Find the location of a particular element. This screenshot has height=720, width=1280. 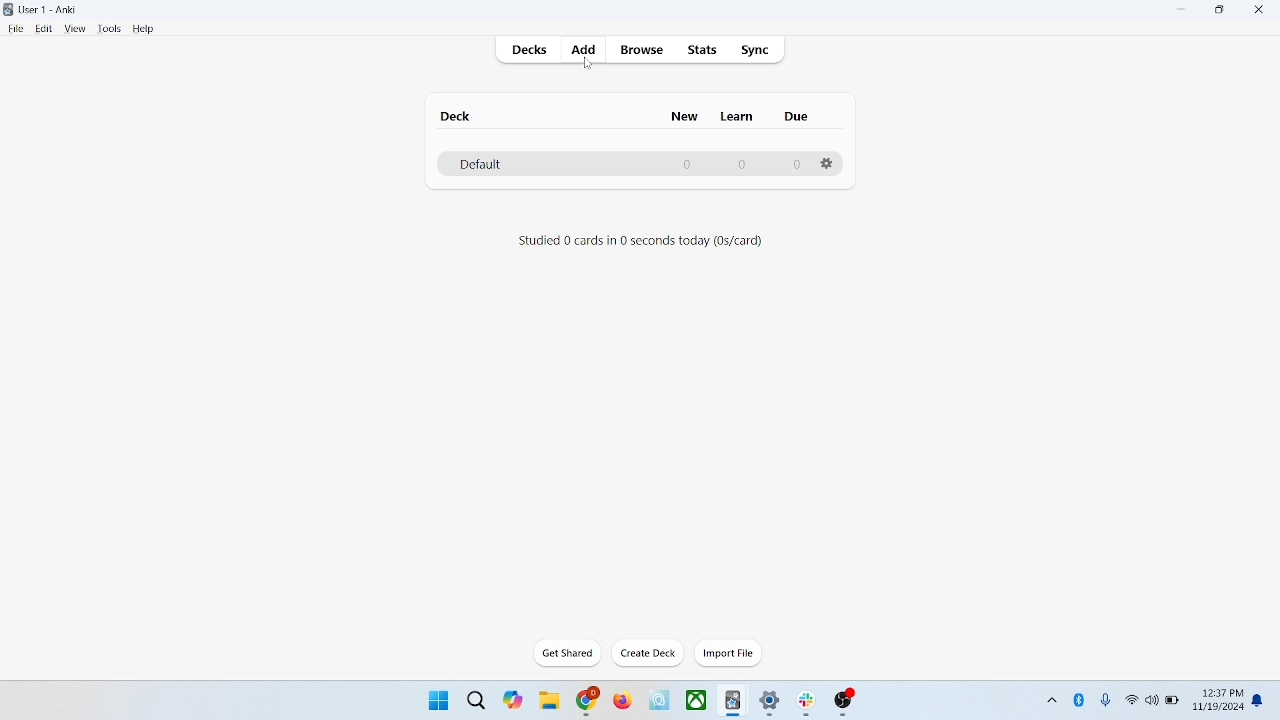

default is located at coordinates (479, 165).